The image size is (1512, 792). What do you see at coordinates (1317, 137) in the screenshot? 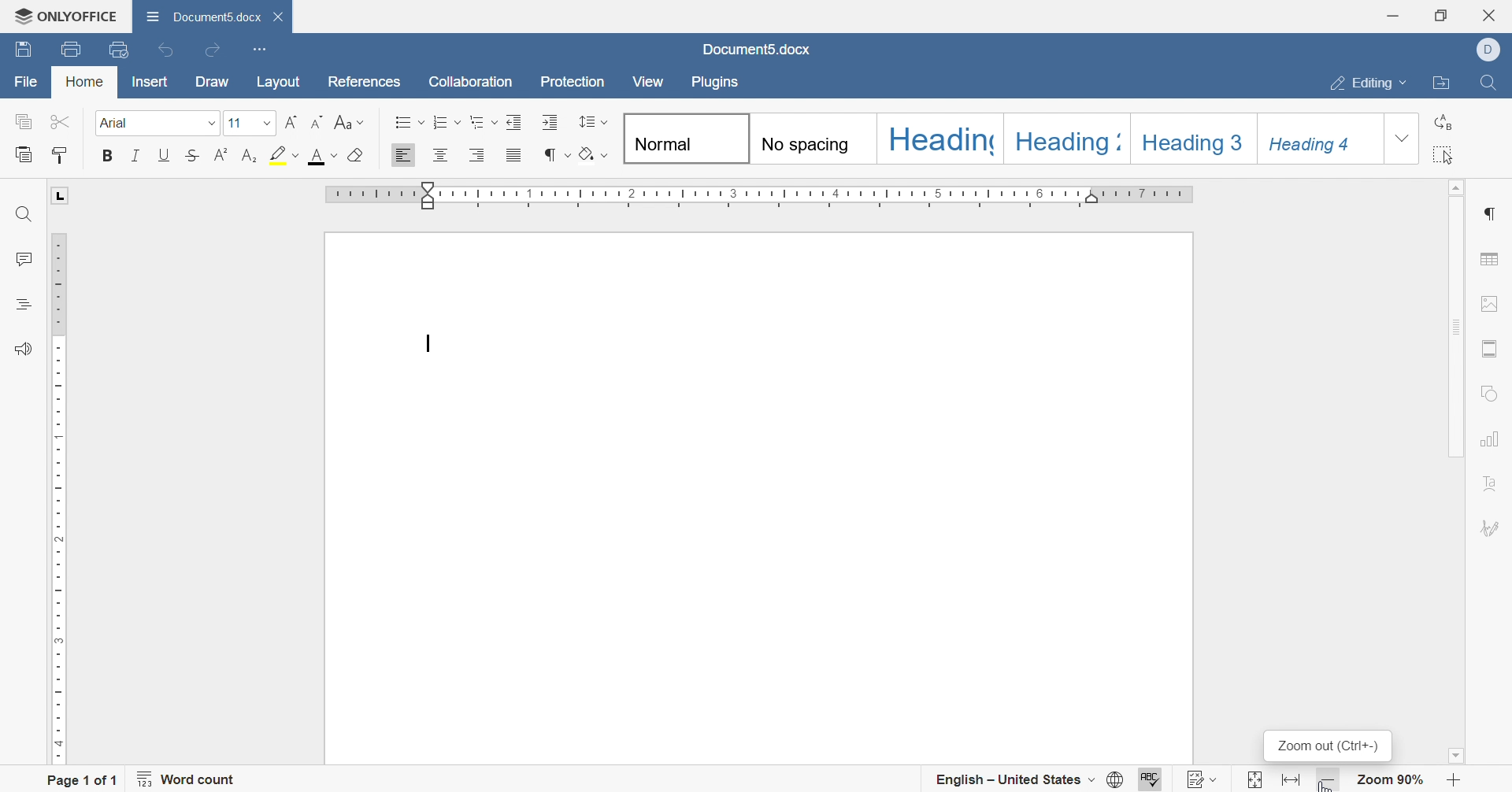
I see `Heading 4` at bounding box center [1317, 137].